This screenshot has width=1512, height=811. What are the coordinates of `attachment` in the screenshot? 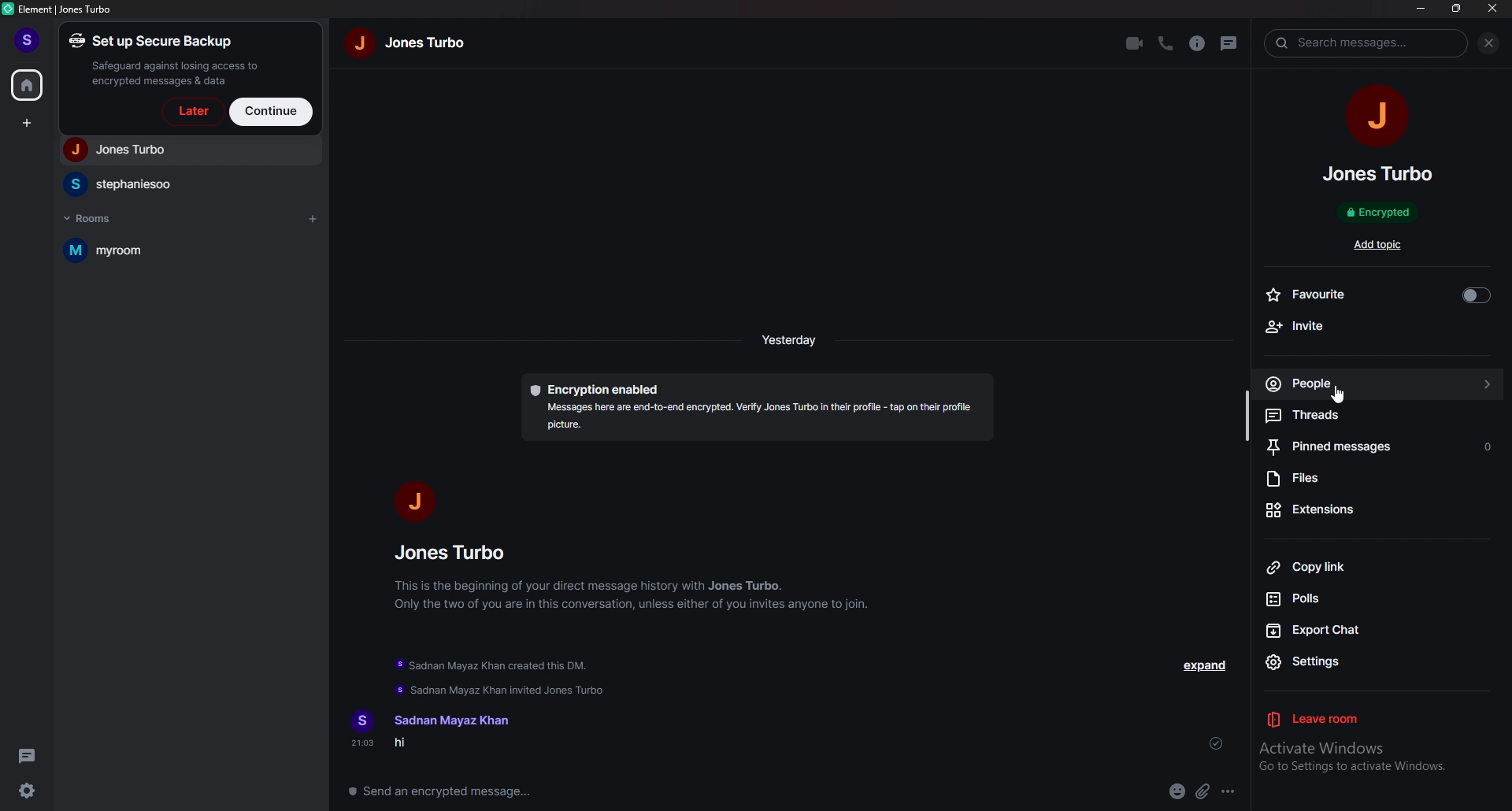 It's located at (1204, 791).